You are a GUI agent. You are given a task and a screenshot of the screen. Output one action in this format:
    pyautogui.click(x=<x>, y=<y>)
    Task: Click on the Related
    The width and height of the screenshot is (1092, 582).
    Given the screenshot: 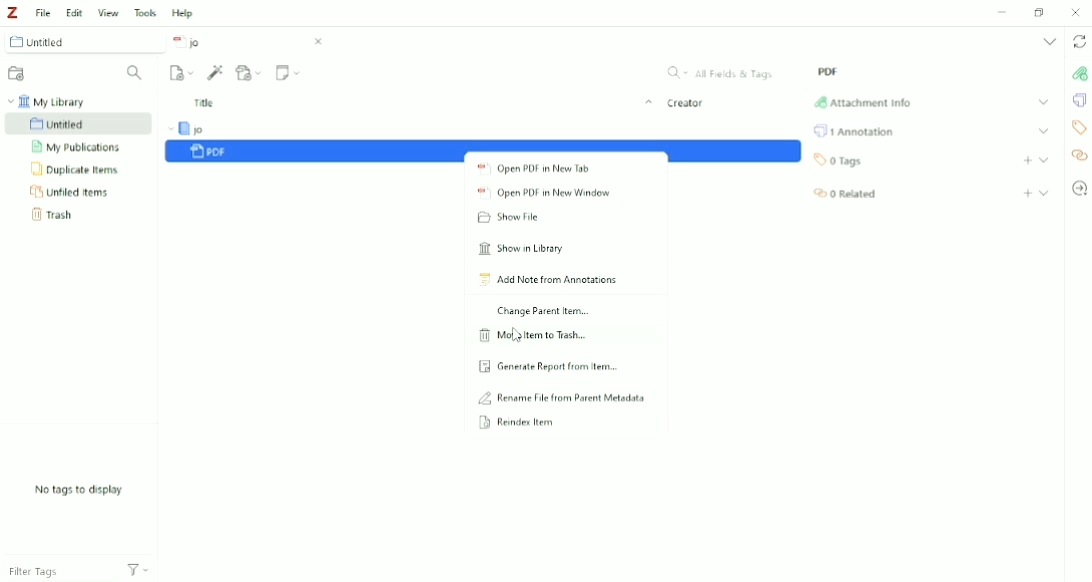 What is the action you would take?
    pyautogui.click(x=1078, y=157)
    